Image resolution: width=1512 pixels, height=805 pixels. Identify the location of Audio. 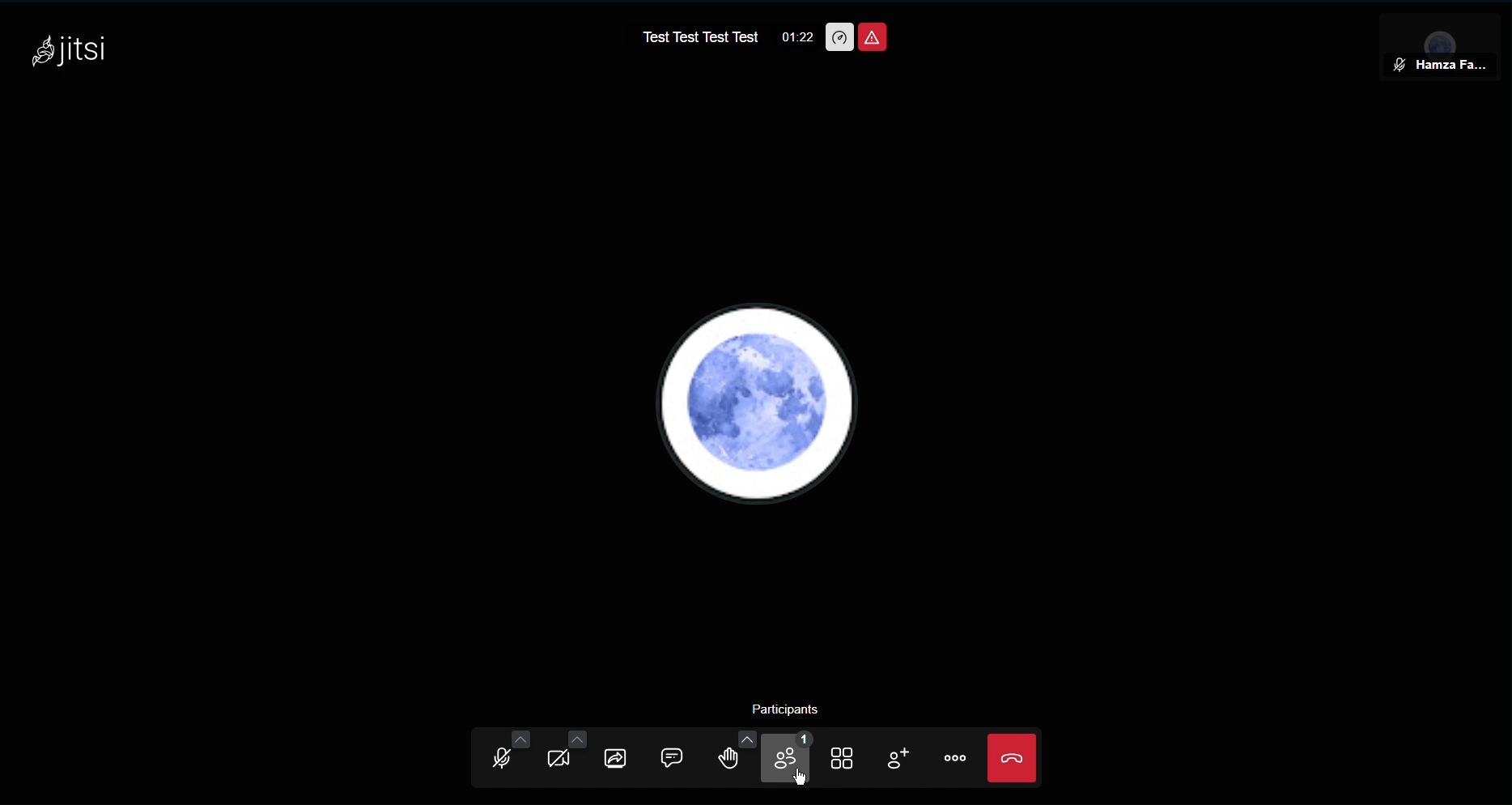
(505, 755).